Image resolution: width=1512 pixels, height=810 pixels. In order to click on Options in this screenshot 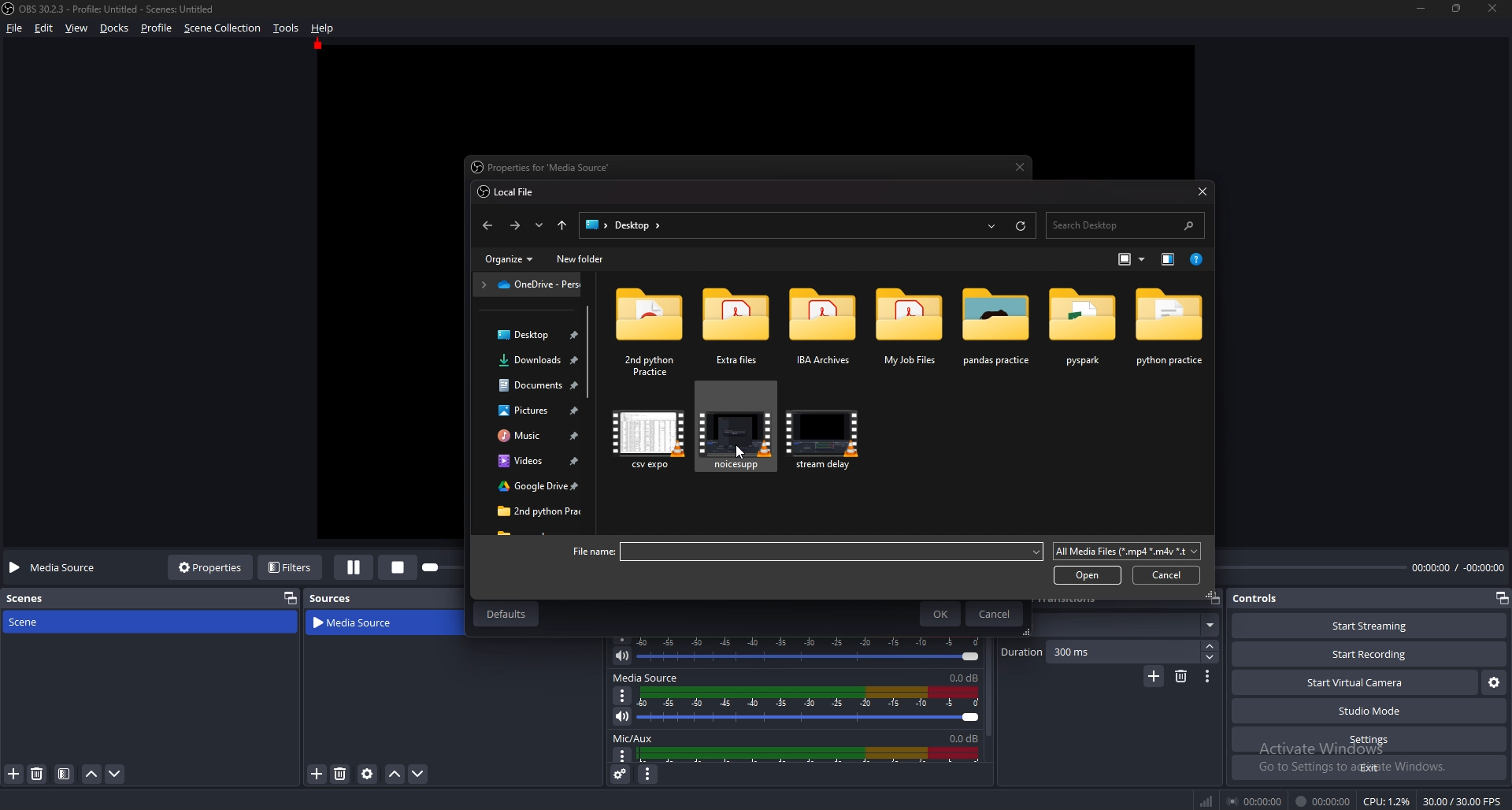, I will do `click(623, 695)`.